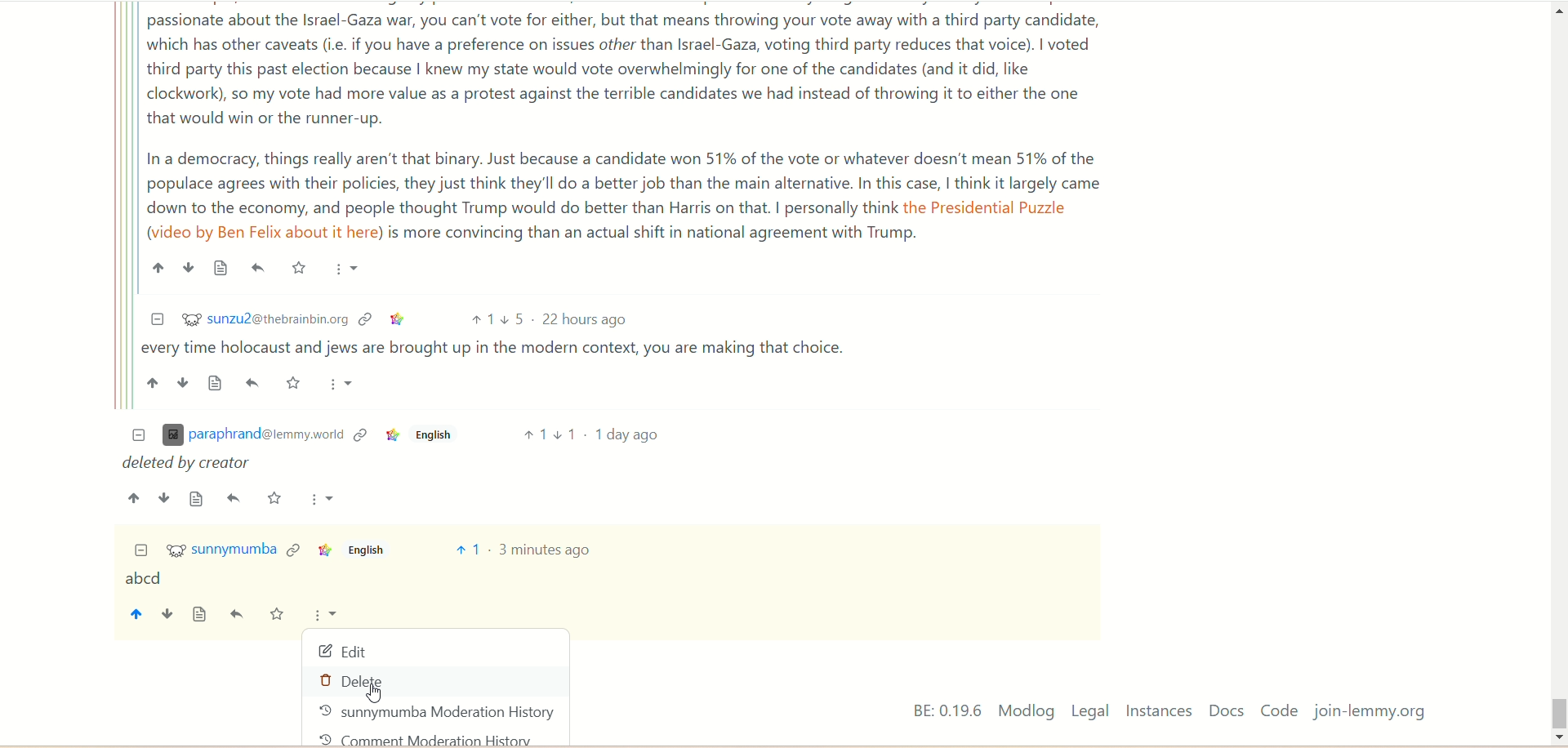 The image size is (1568, 748). Describe the element at coordinates (323, 550) in the screenshot. I see `Link` at that location.